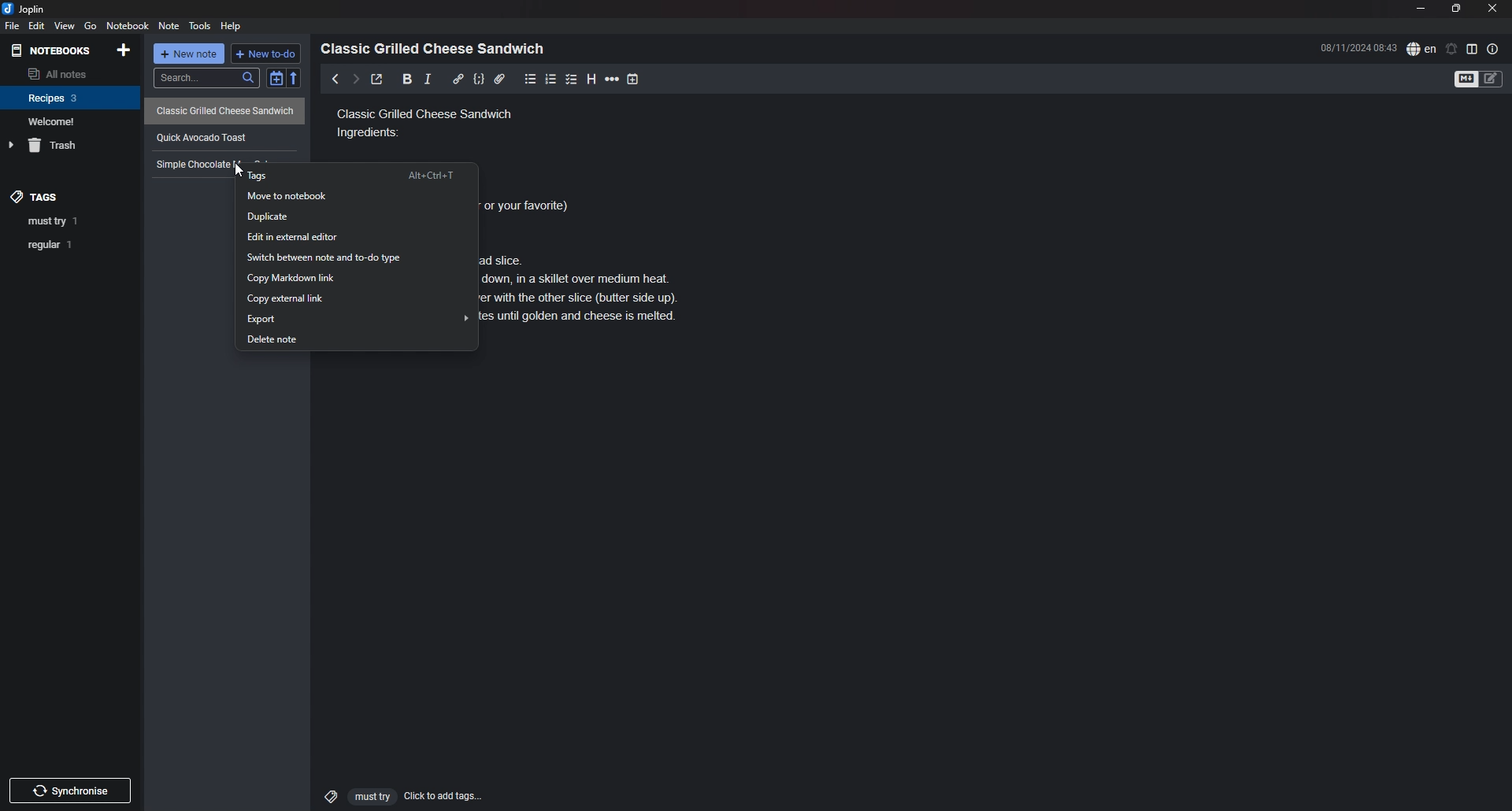  What do you see at coordinates (458, 78) in the screenshot?
I see `hyperlink` at bounding box center [458, 78].